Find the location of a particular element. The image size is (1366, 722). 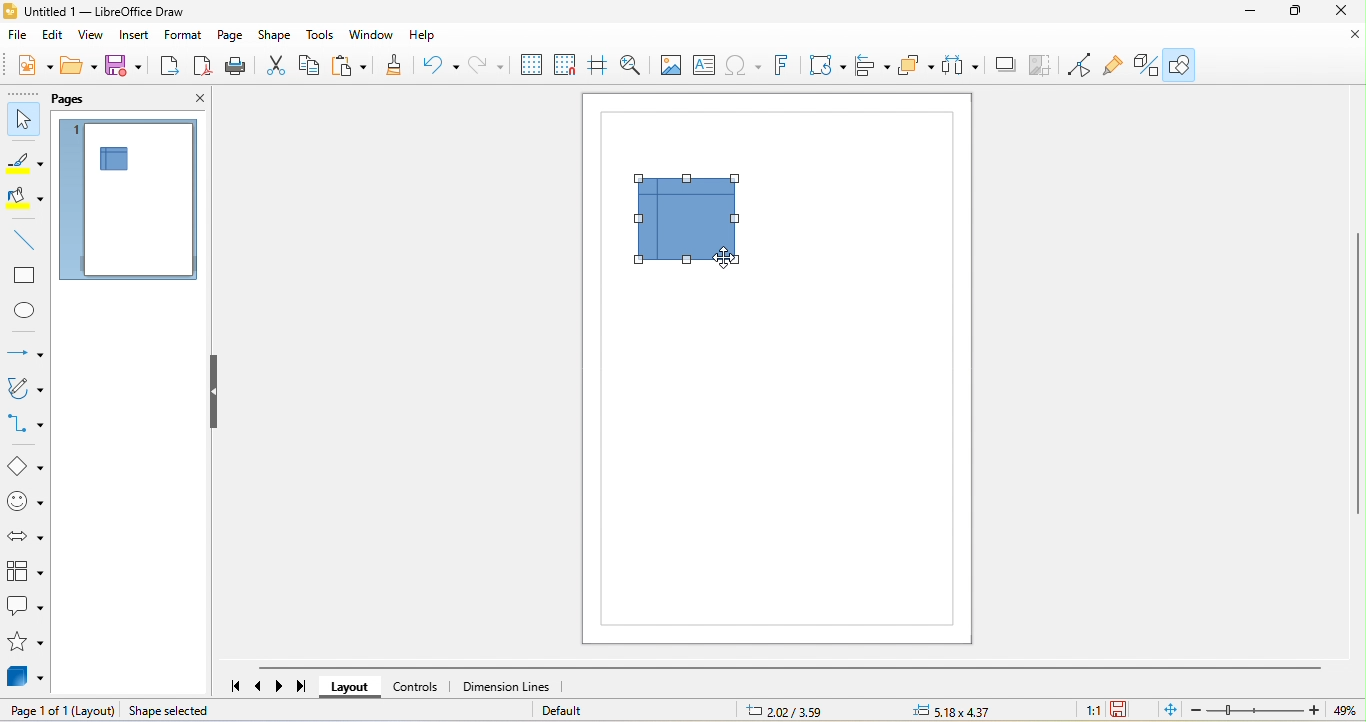

special character is located at coordinates (745, 68).